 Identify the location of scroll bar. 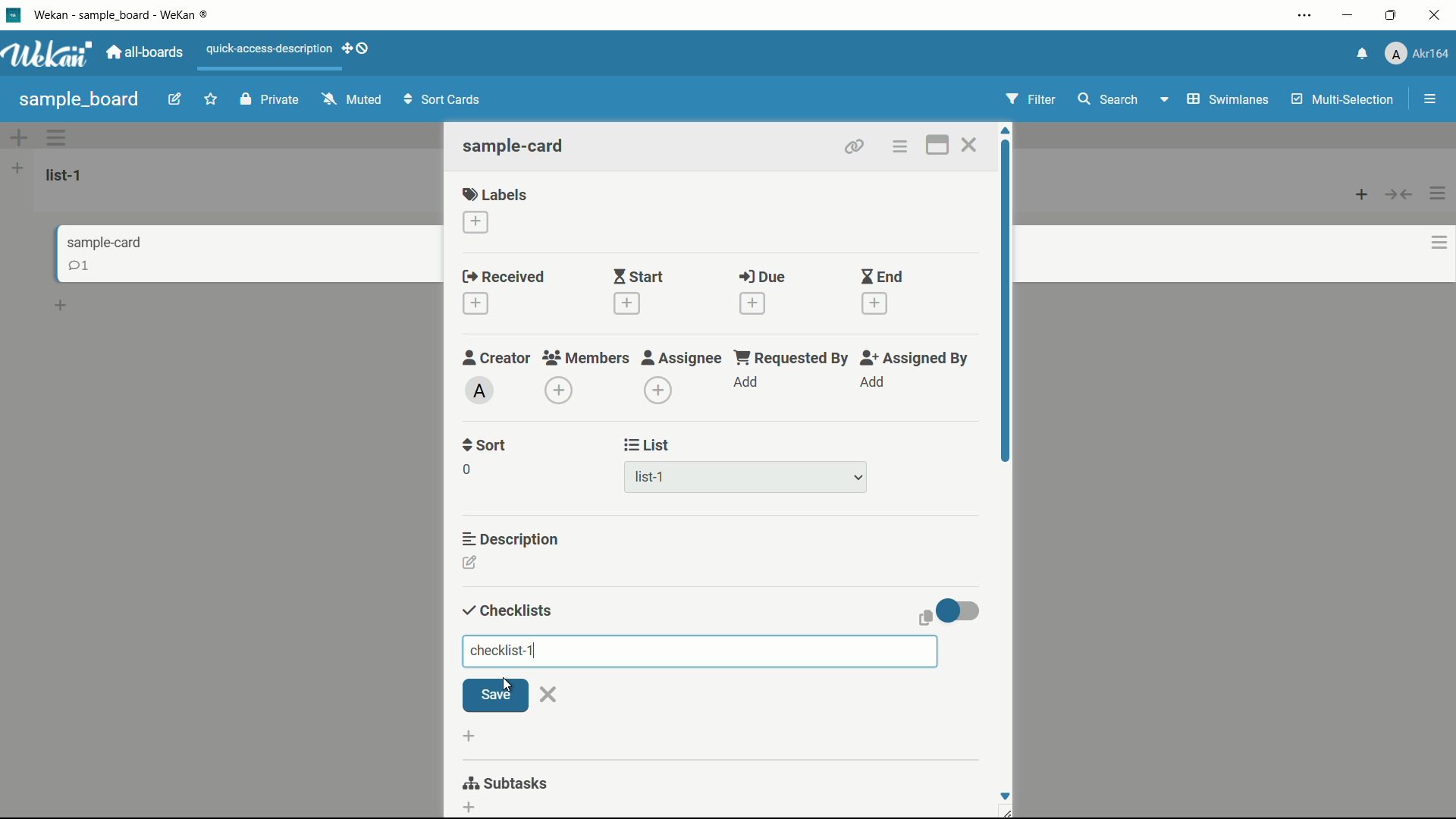
(1007, 316).